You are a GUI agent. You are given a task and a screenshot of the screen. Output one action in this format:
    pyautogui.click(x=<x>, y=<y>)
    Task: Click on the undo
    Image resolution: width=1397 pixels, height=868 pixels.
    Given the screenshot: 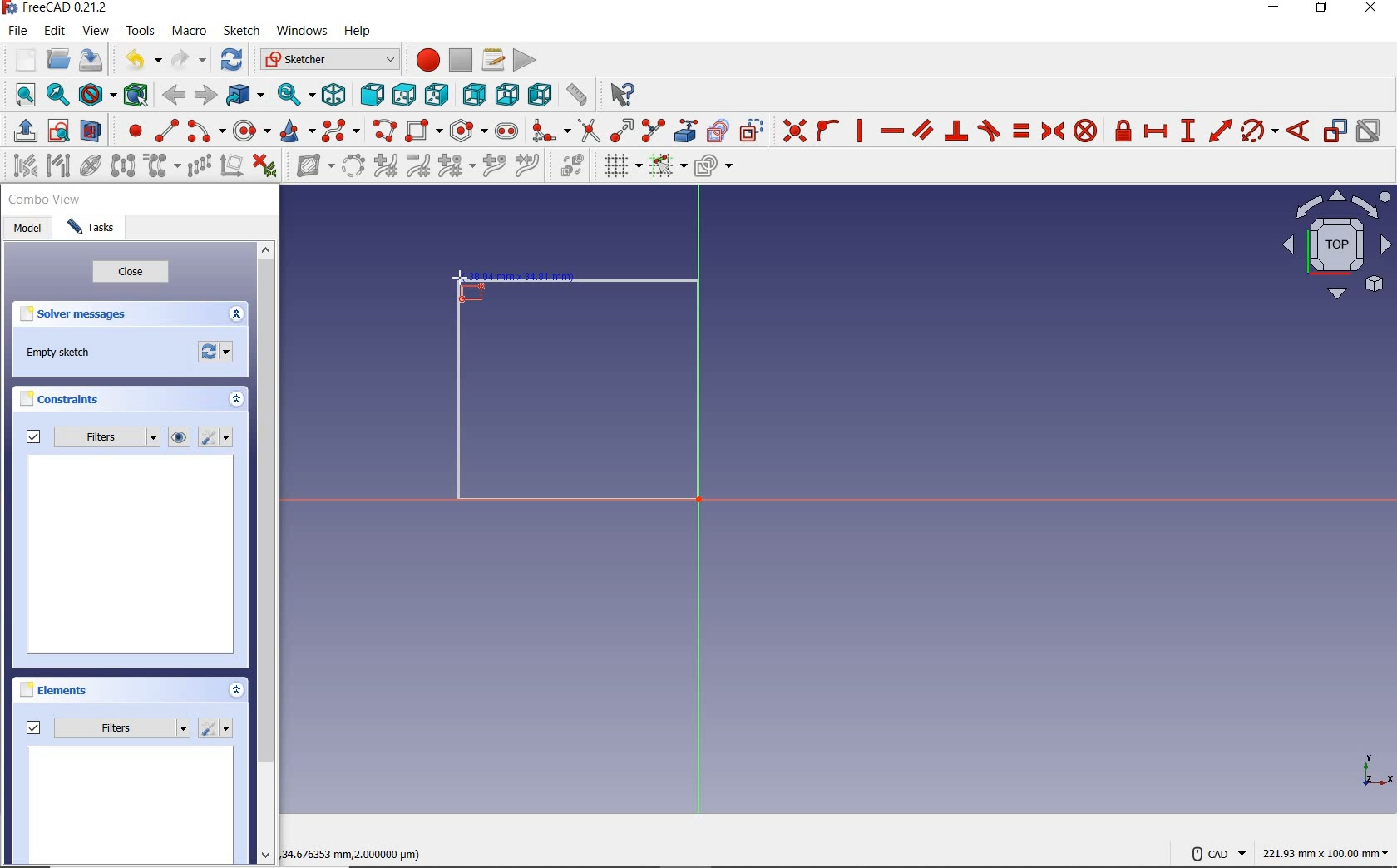 What is the action you would take?
    pyautogui.click(x=144, y=62)
    